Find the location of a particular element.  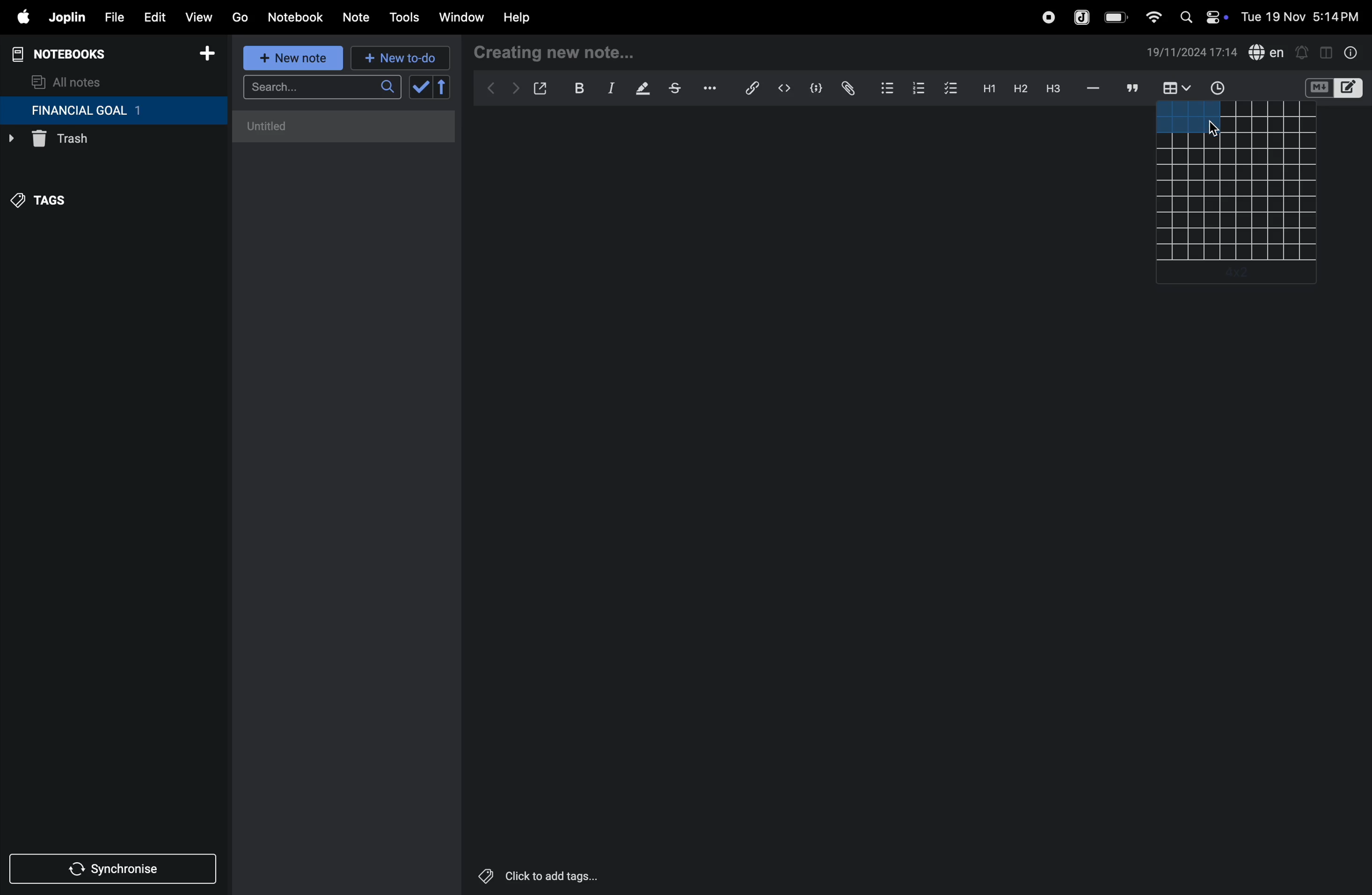

switch editor is located at coordinates (1332, 88).